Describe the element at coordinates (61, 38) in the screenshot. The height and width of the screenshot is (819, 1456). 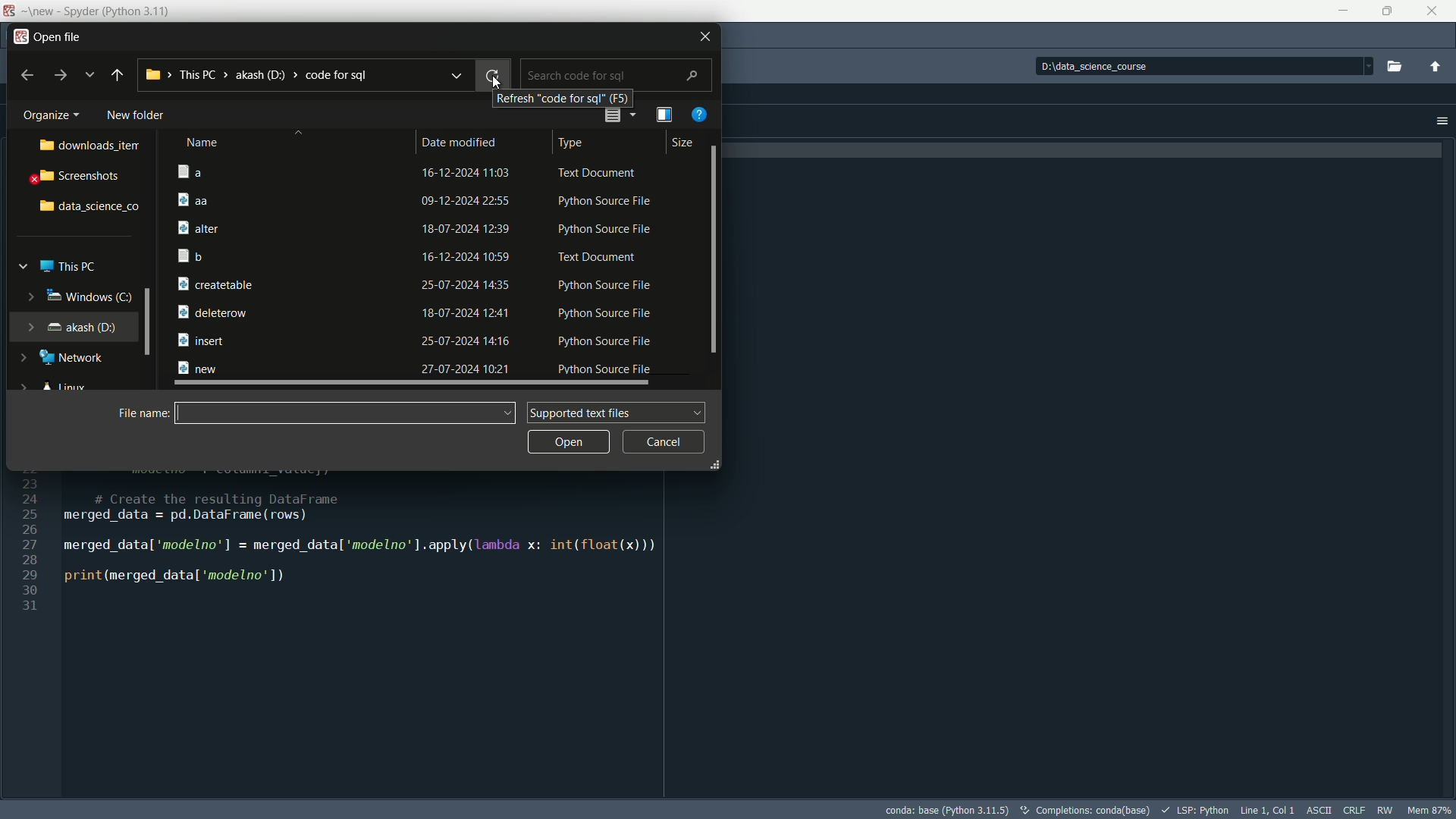
I see `open file` at that location.